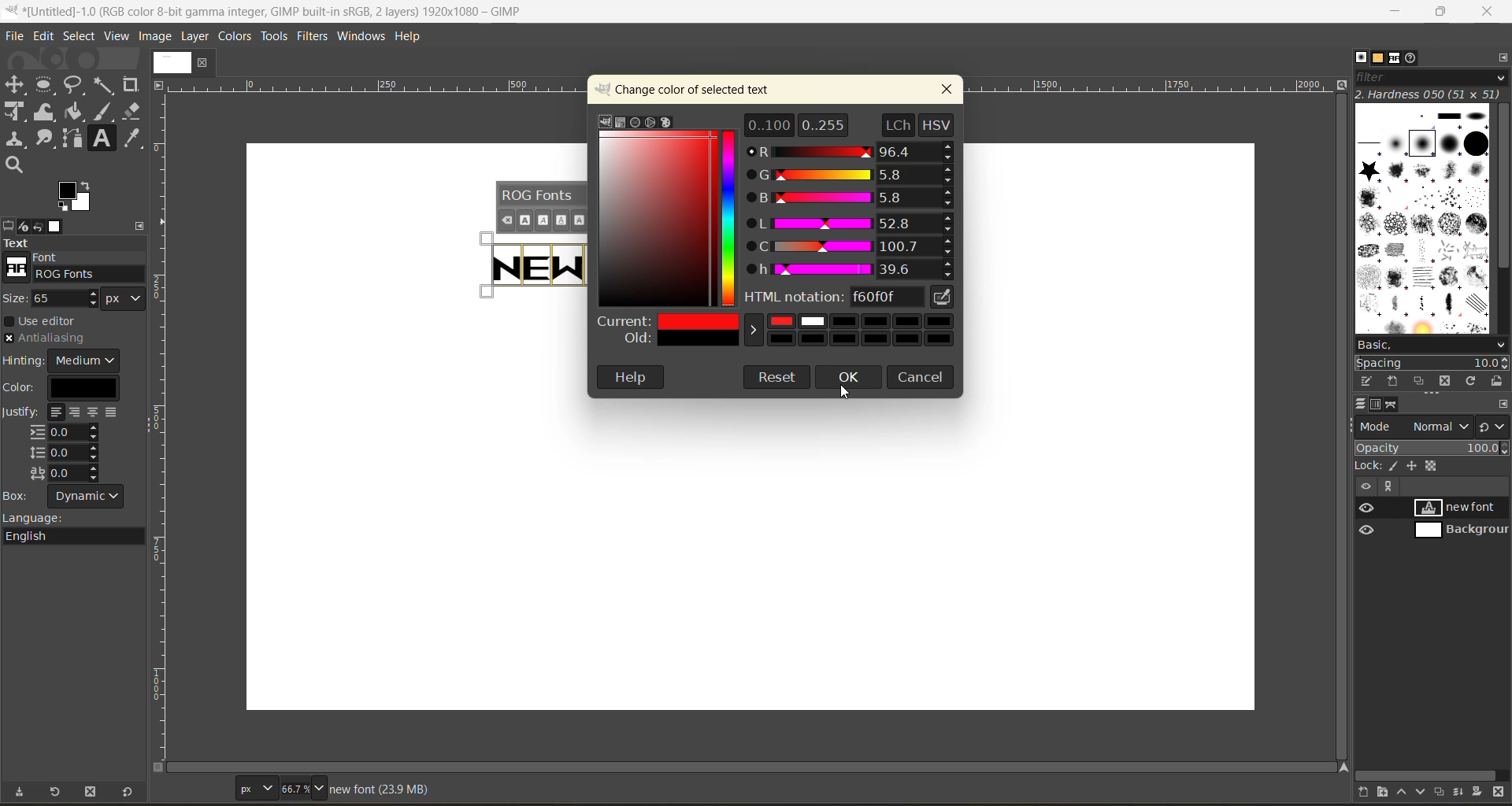 The image size is (1512, 806). Describe the element at coordinates (1392, 382) in the screenshot. I see `create a new brush` at that location.